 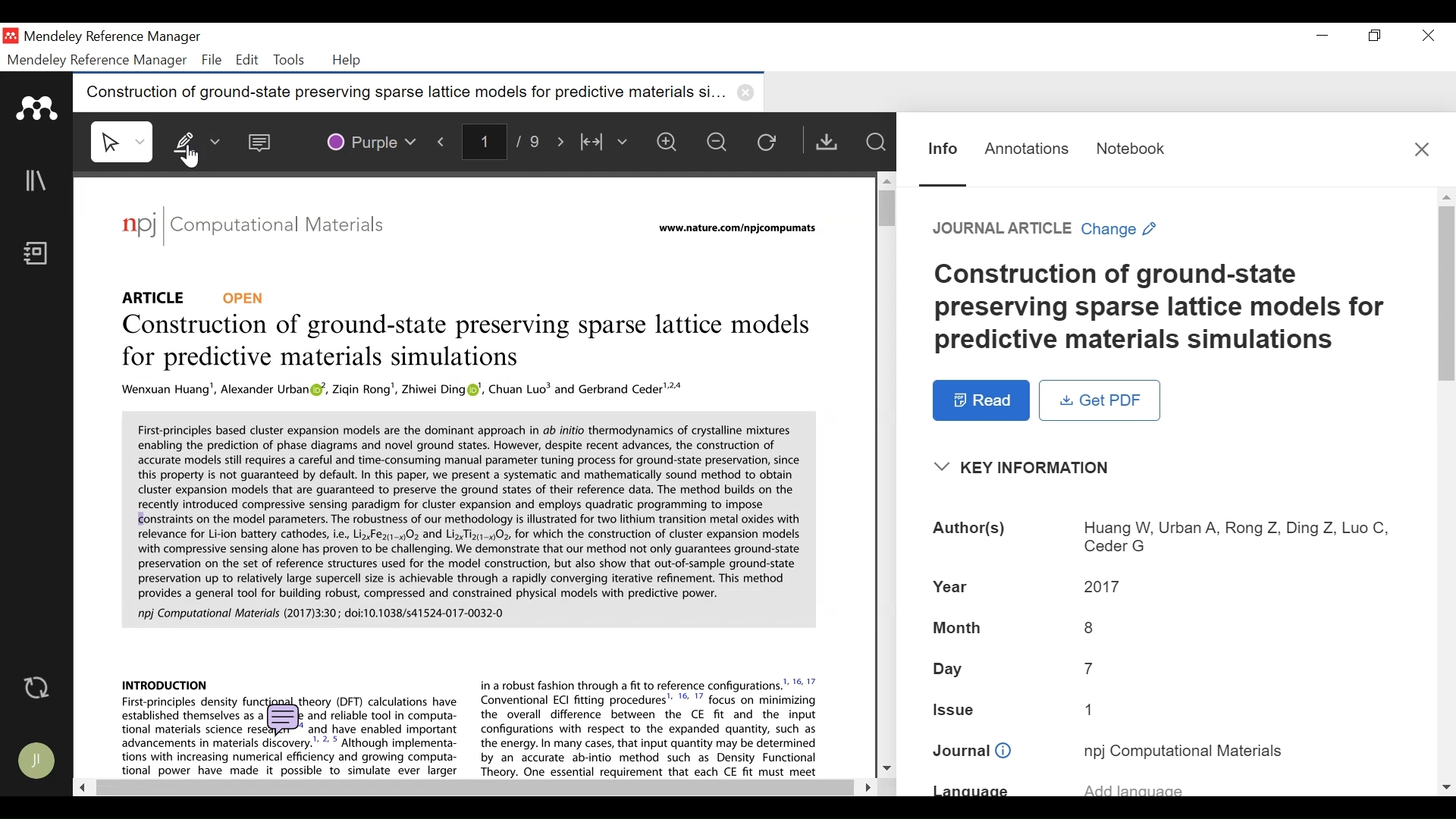 I want to click on Notebook, so click(x=40, y=255).